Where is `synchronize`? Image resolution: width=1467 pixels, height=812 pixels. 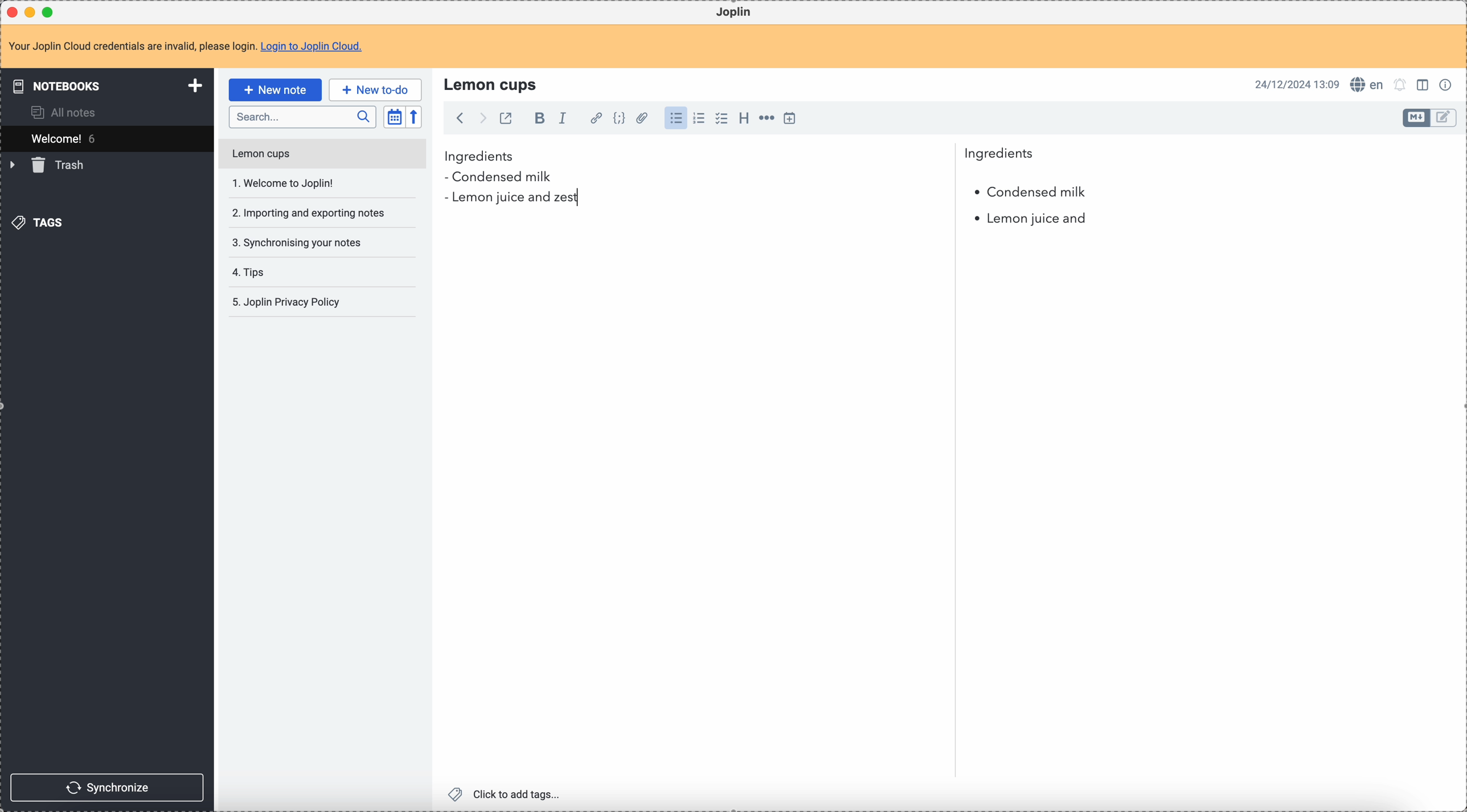 synchronize is located at coordinates (108, 788).